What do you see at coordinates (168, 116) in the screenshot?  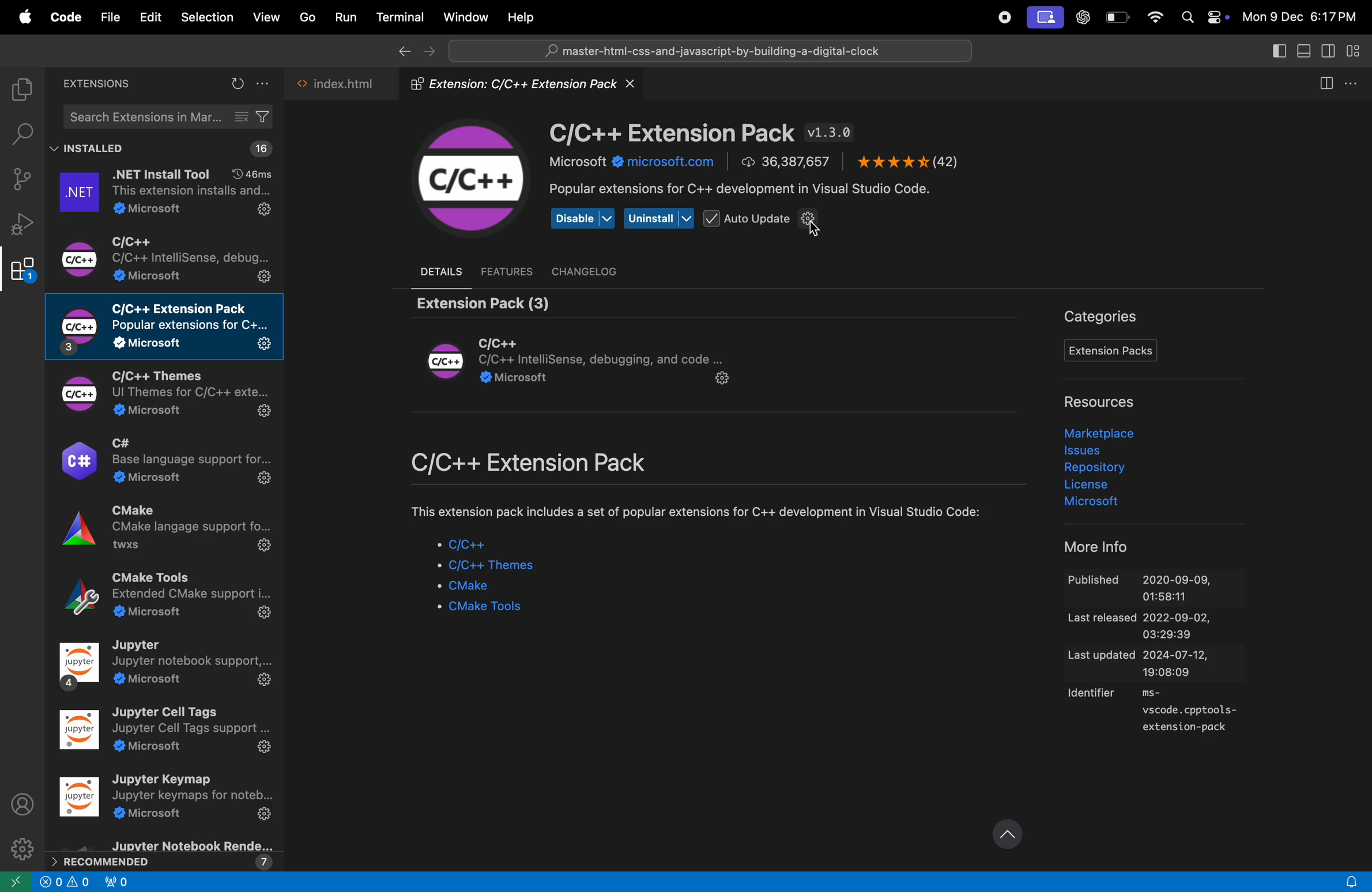 I see `search extensions` at bounding box center [168, 116].